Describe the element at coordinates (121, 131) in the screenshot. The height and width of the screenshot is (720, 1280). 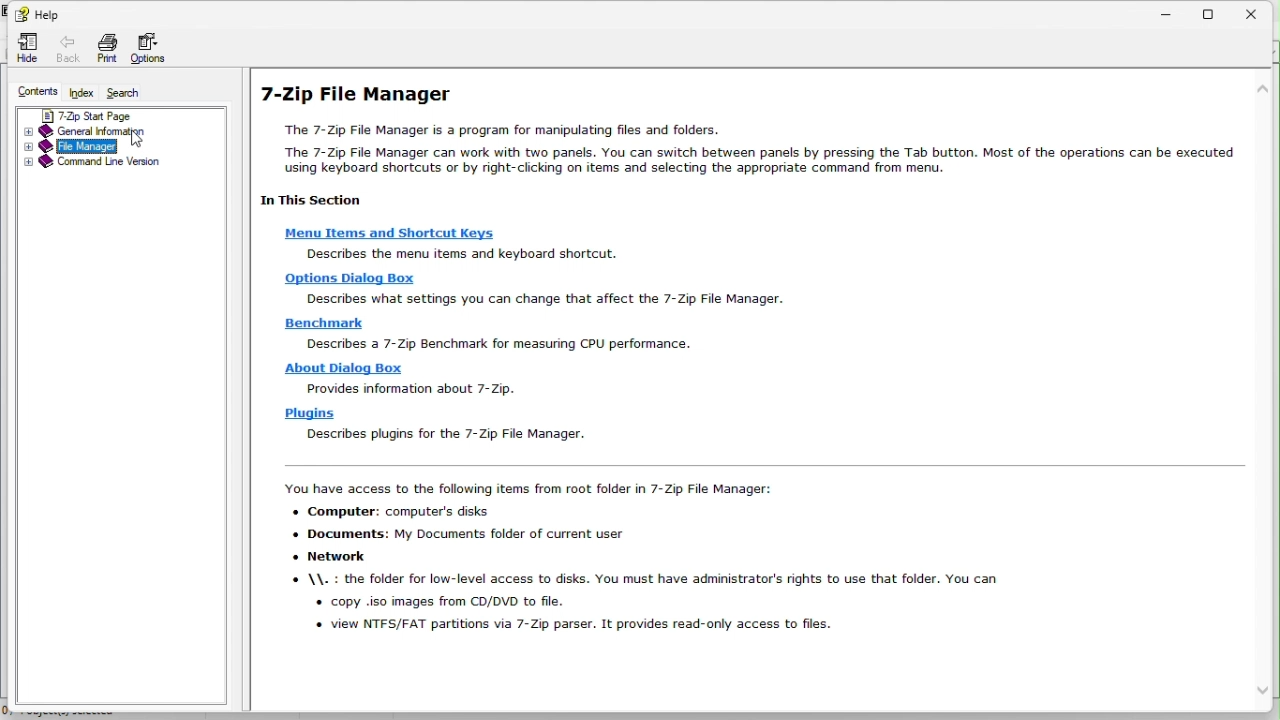
I see `General information` at that location.